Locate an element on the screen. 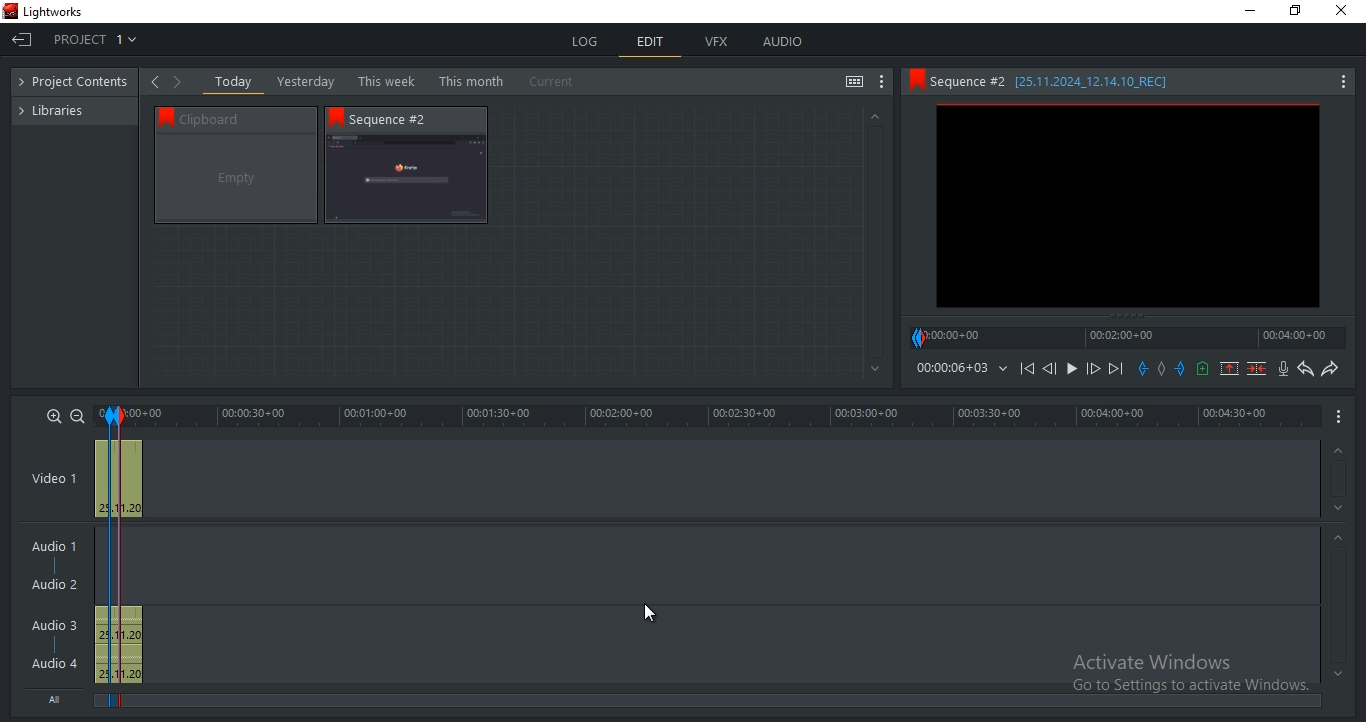 The image size is (1366, 722). Lightworks is located at coordinates (54, 12).